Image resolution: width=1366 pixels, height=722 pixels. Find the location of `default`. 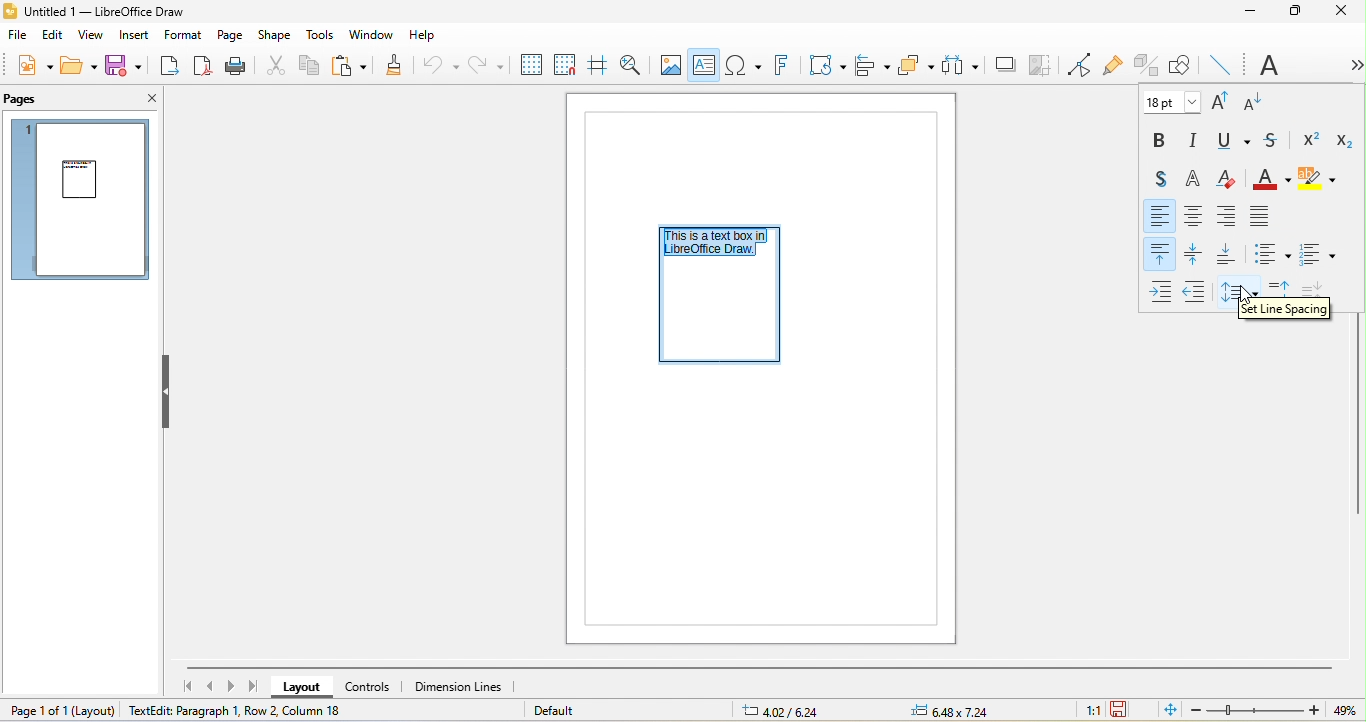

default is located at coordinates (564, 711).